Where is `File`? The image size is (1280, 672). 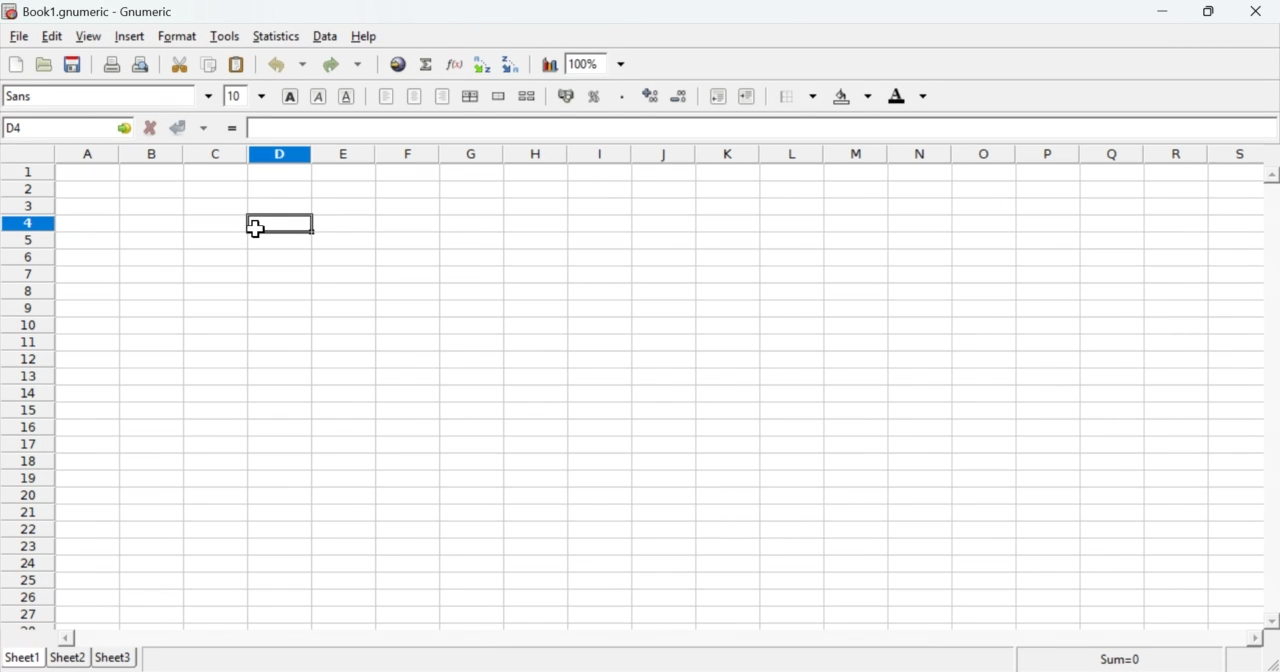 File is located at coordinates (19, 37).